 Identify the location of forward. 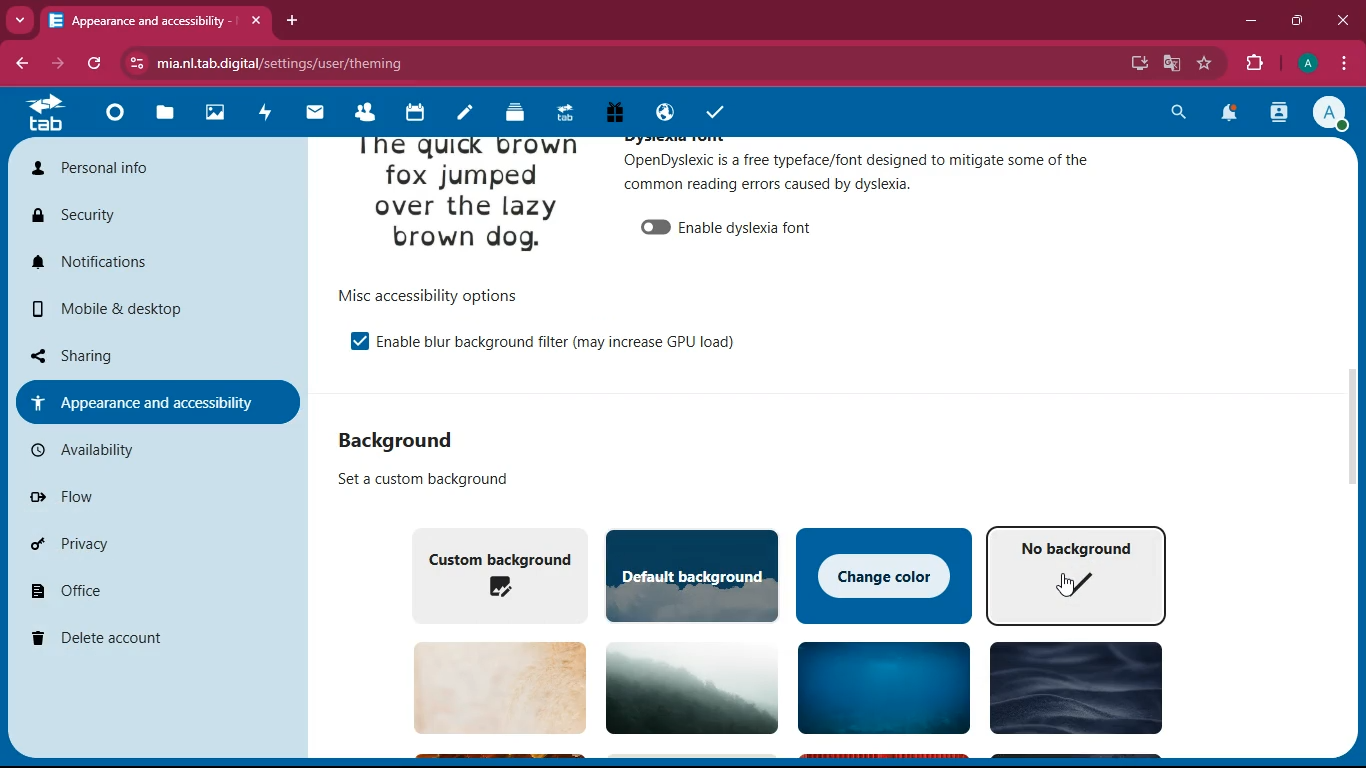
(65, 64).